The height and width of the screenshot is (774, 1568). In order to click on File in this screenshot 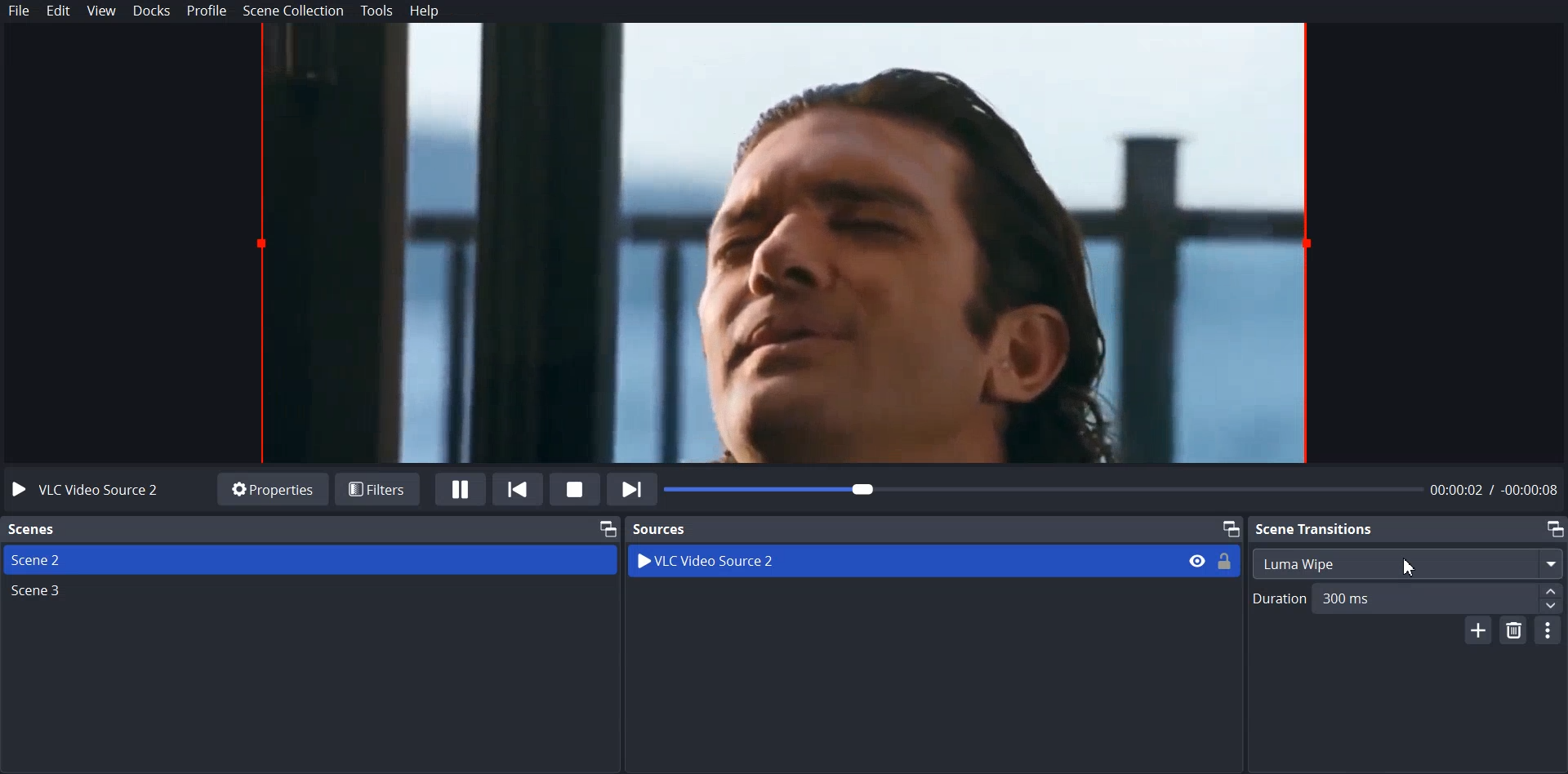, I will do `click(20, 11)`.